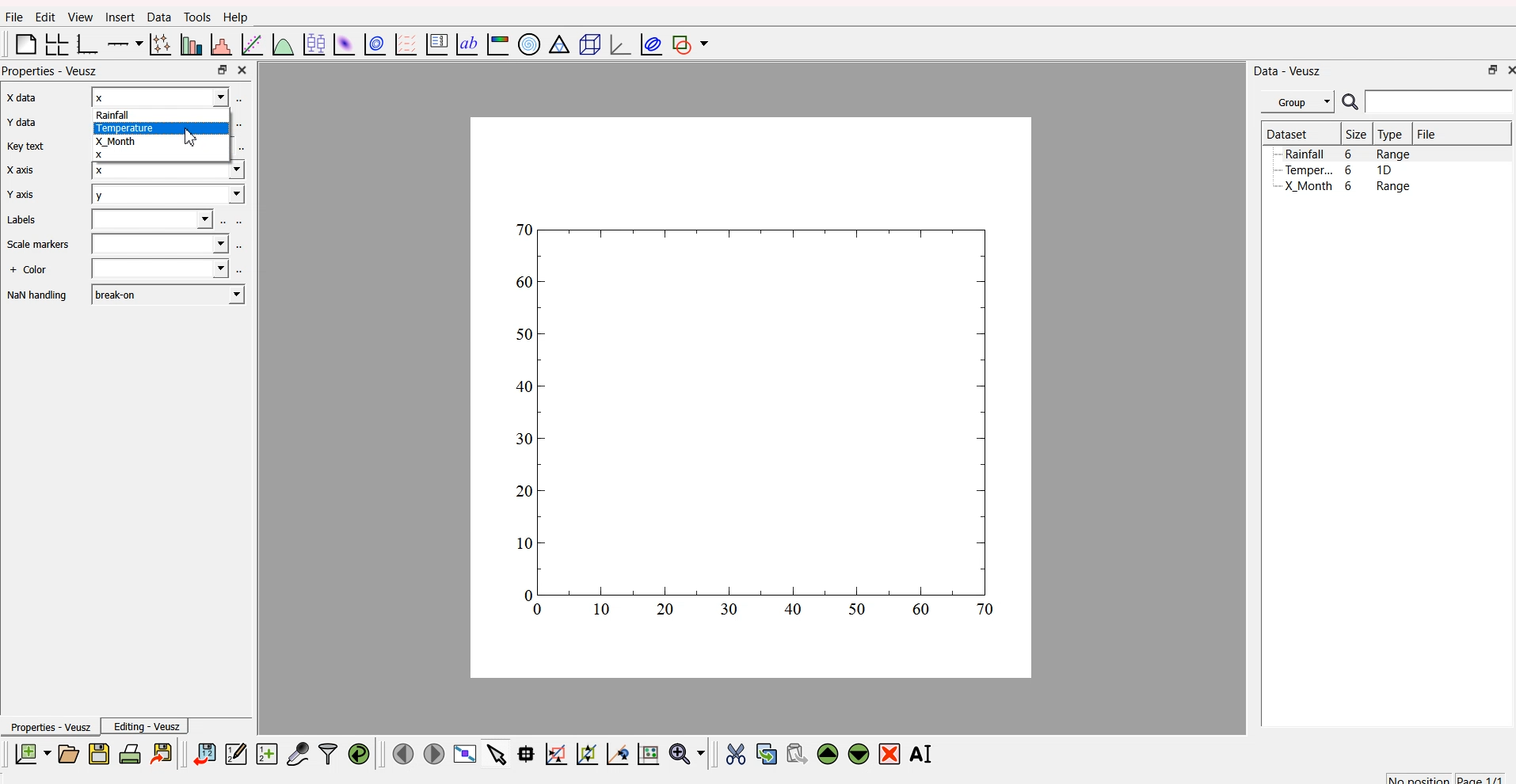 The height and width of the screenshot is (784, 1516). Describe the element at coordinates (235, 17) in the screenshot. I see `Help` at that location.